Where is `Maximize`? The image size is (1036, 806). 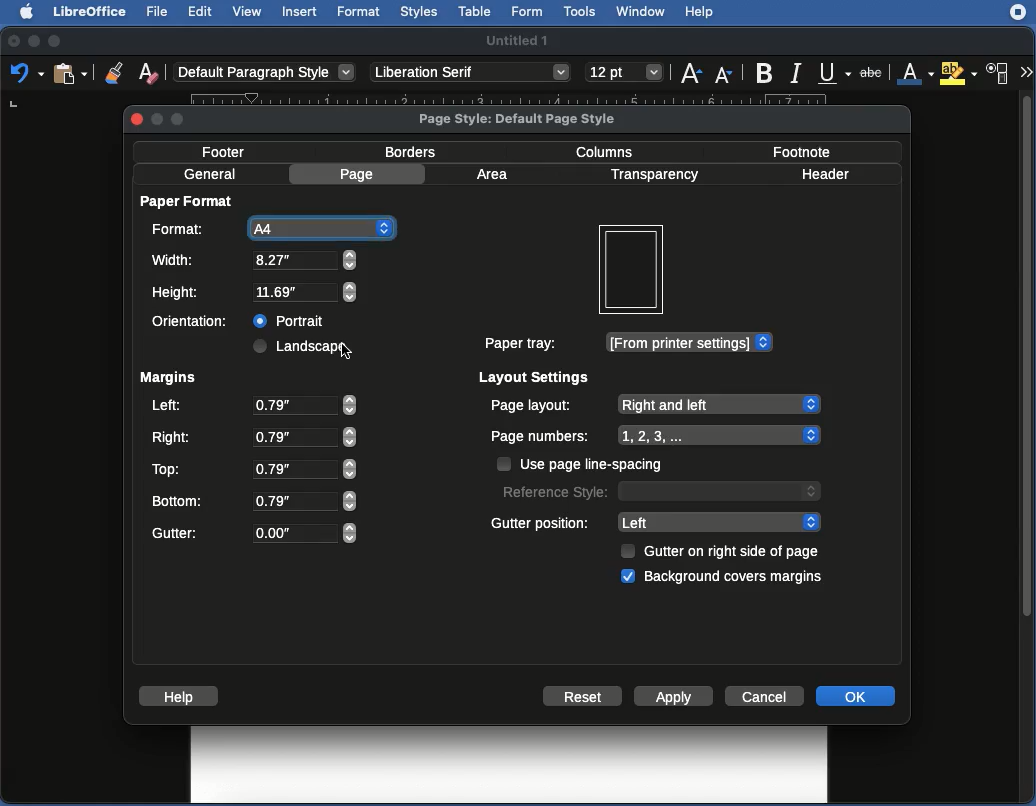 Maximize is located at coordinates (57, 40).